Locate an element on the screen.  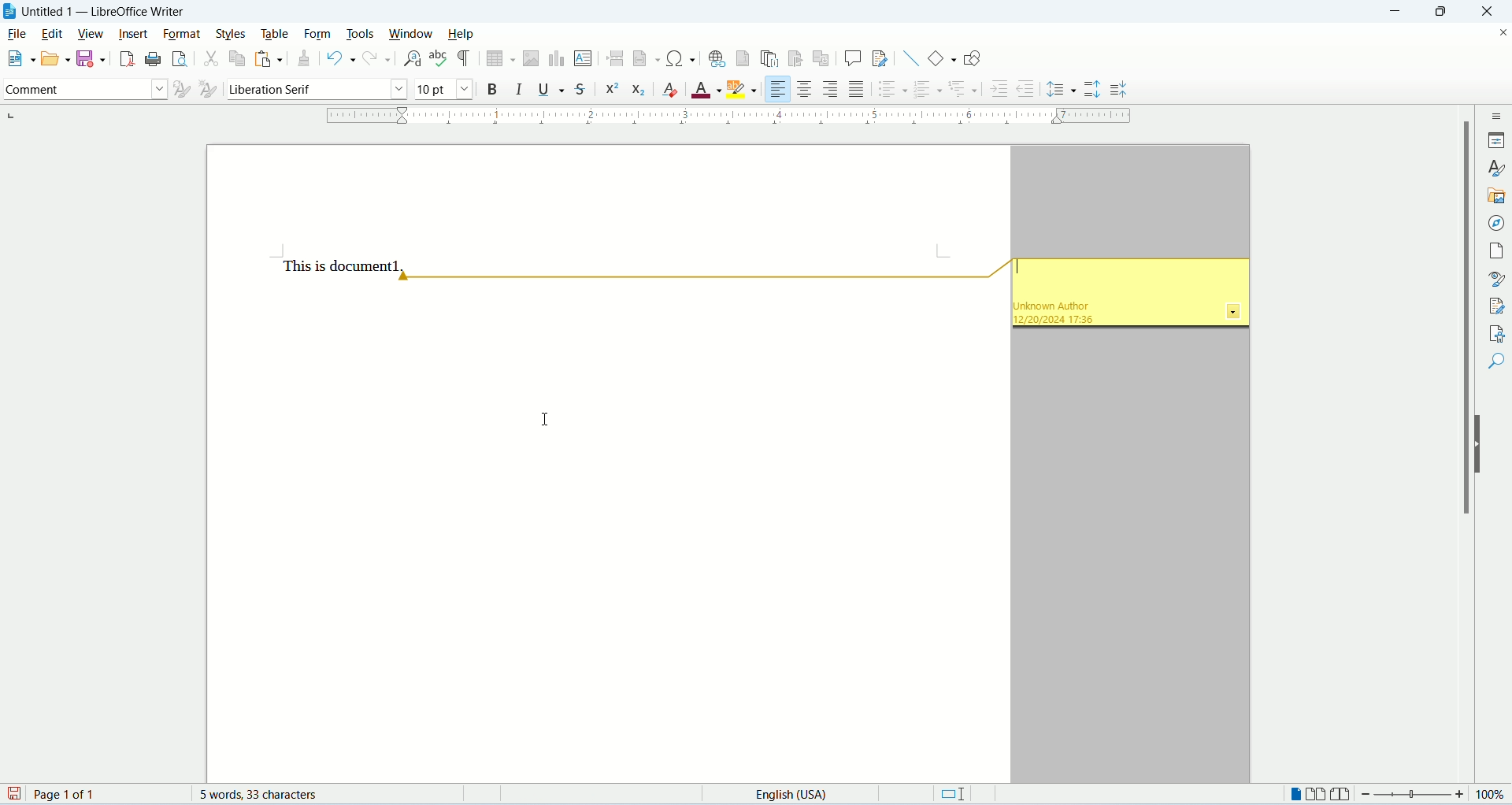
clone formatting is located at coordinates (306, 60).